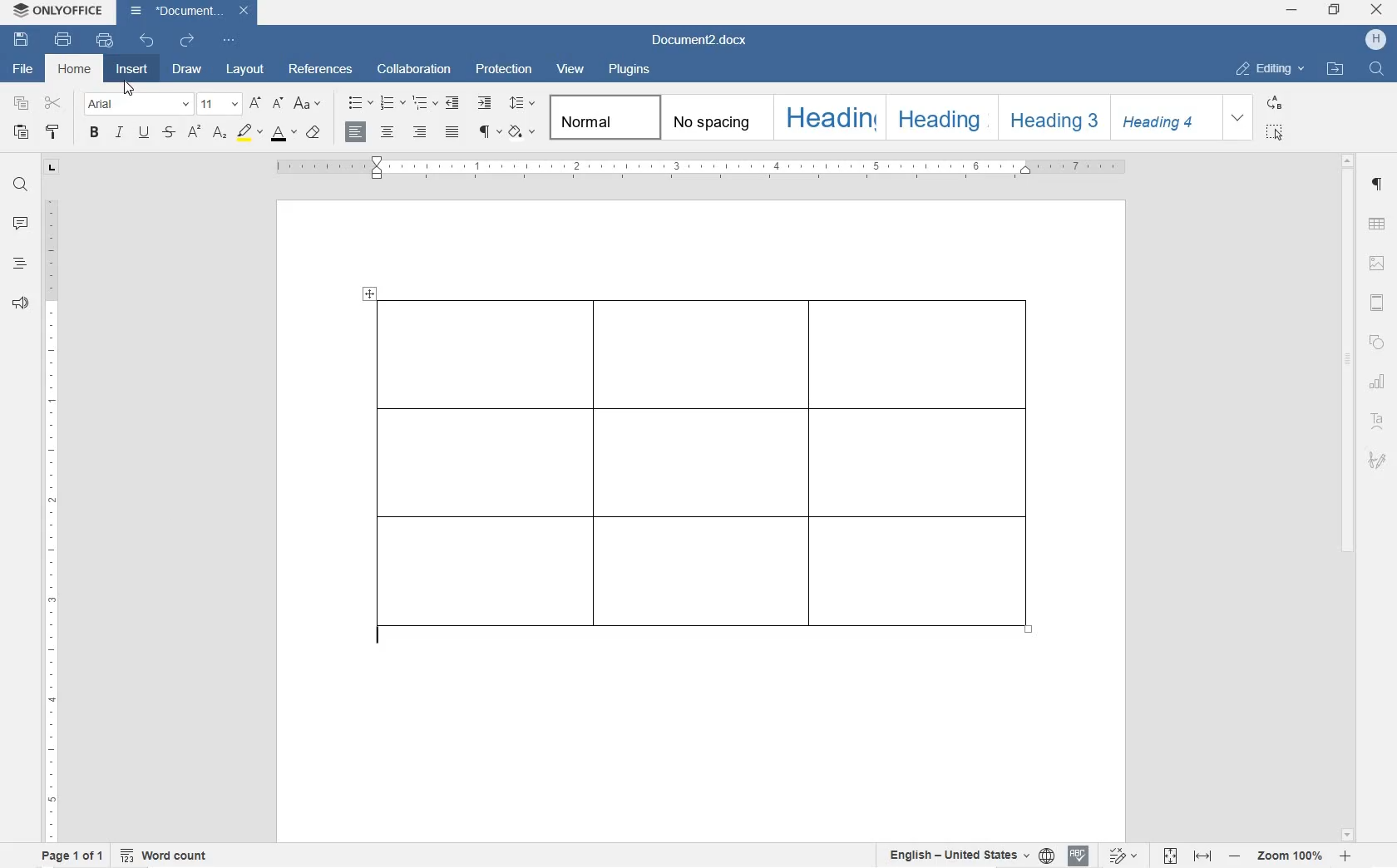 Image resolution: width=1397 pixels, height=868 pixels. I want to click on HEADING 3, so click(1050, 118).